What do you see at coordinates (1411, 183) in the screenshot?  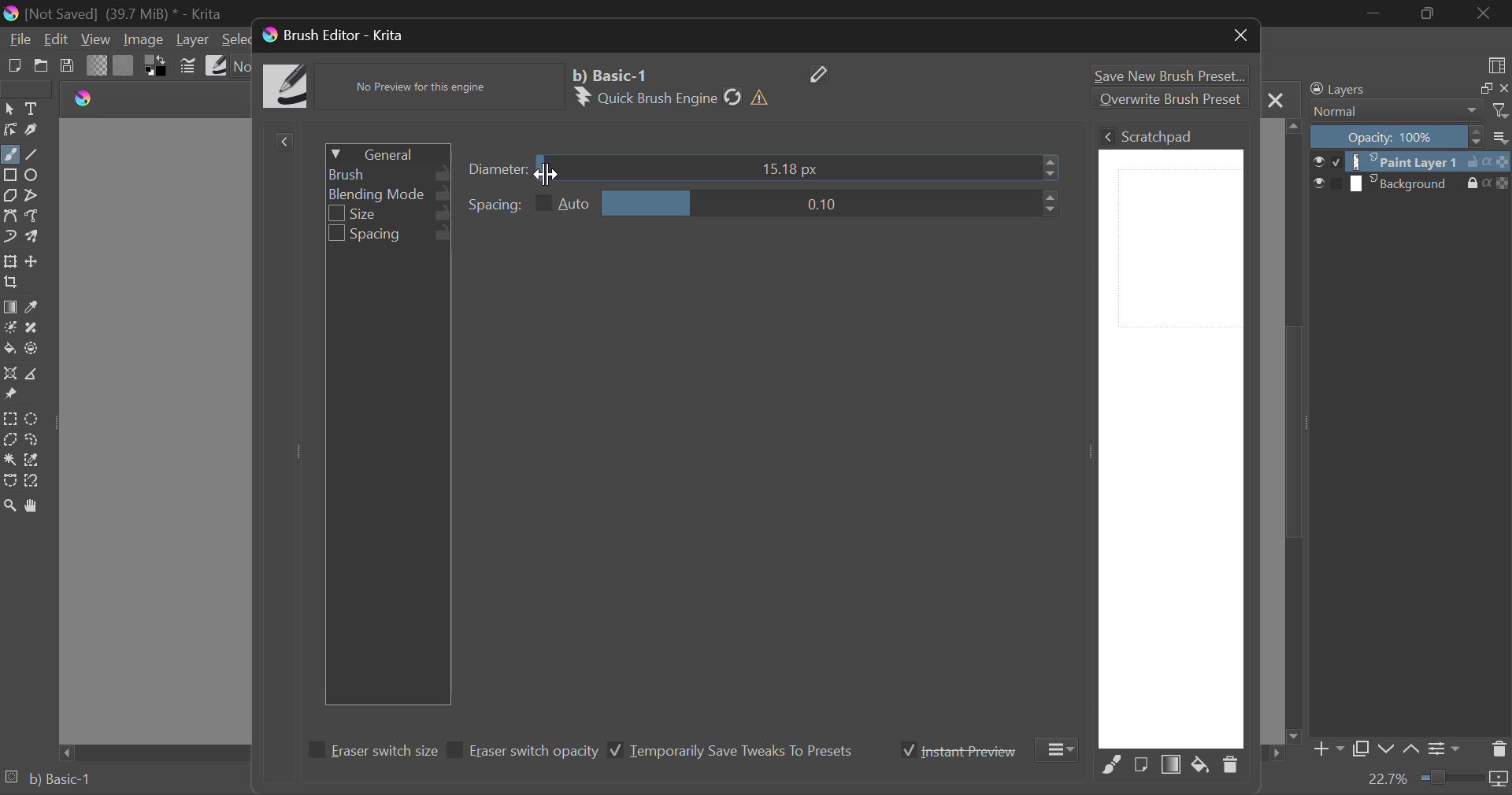 I see `Background` at bounding box center [1411, 183].